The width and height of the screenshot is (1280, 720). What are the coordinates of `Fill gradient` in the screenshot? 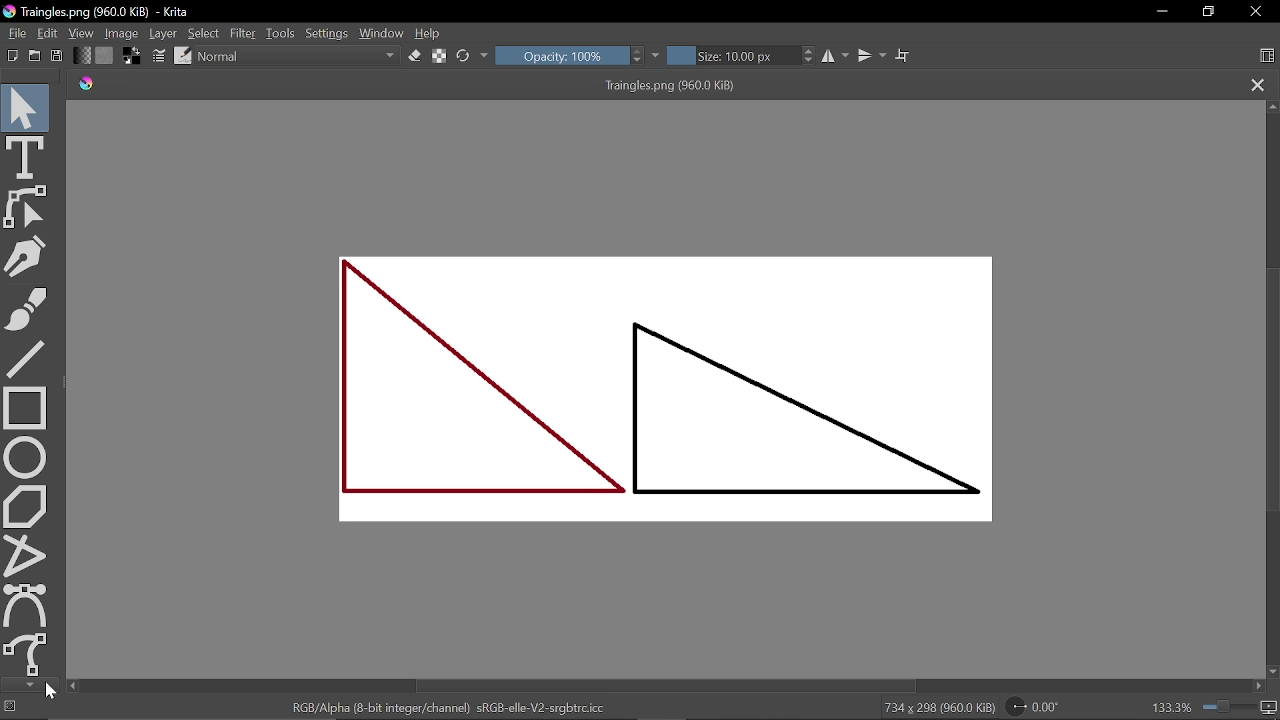 It's located at (83, 55).